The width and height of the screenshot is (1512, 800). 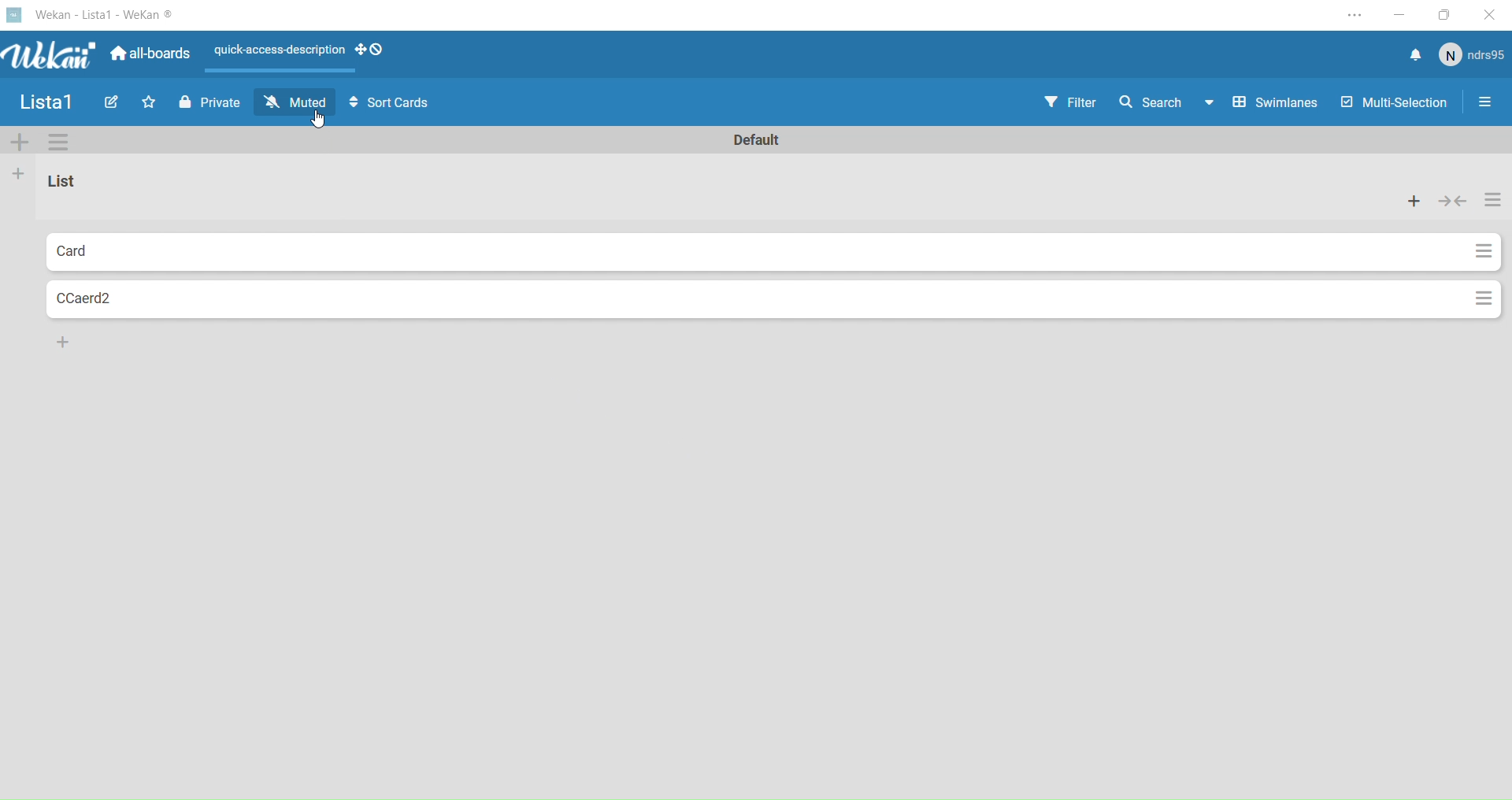 I want to click on Minimize, so click(x=1404, y=14).